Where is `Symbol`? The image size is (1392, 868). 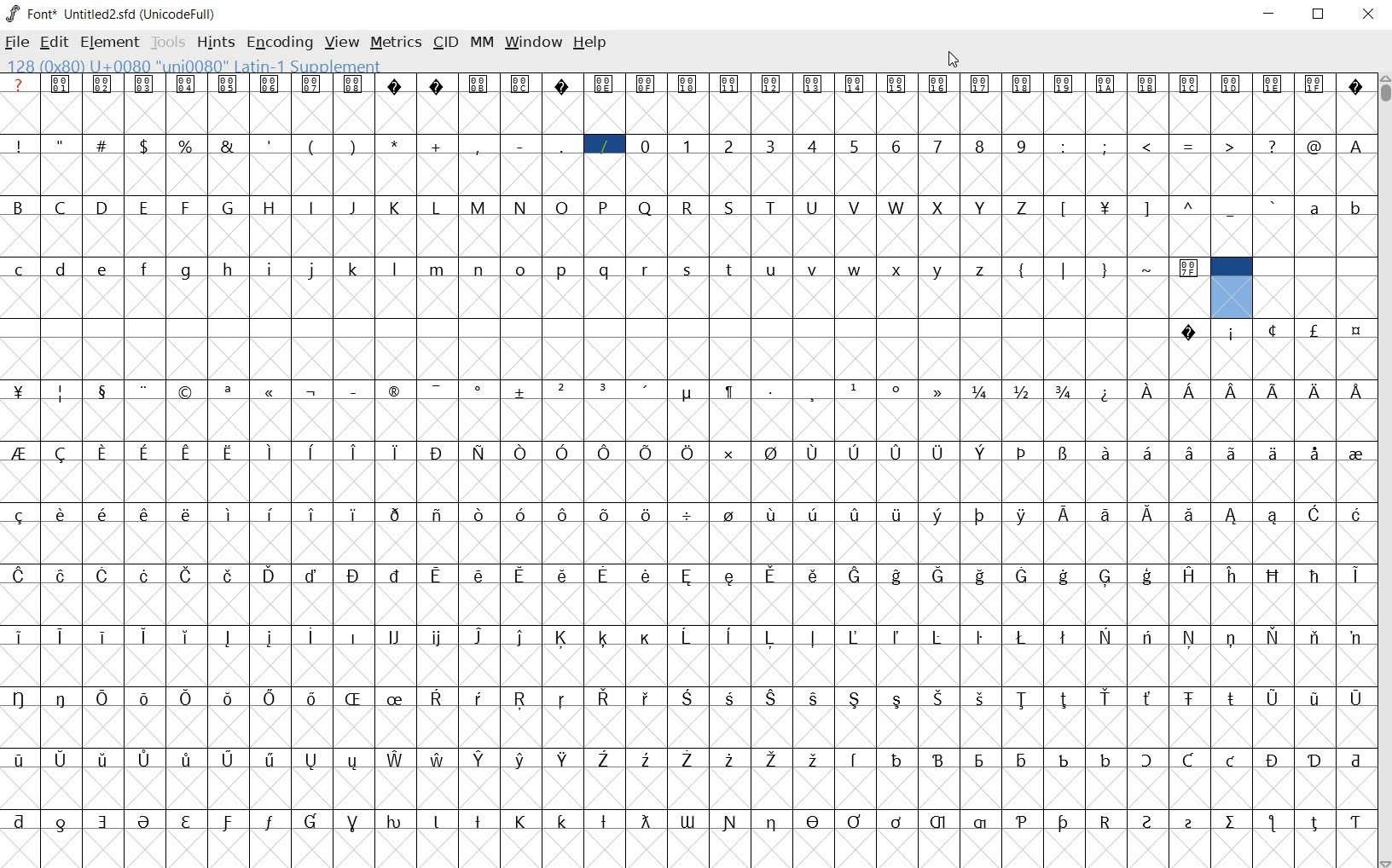
Symbol is located at coordinates (604, 819).